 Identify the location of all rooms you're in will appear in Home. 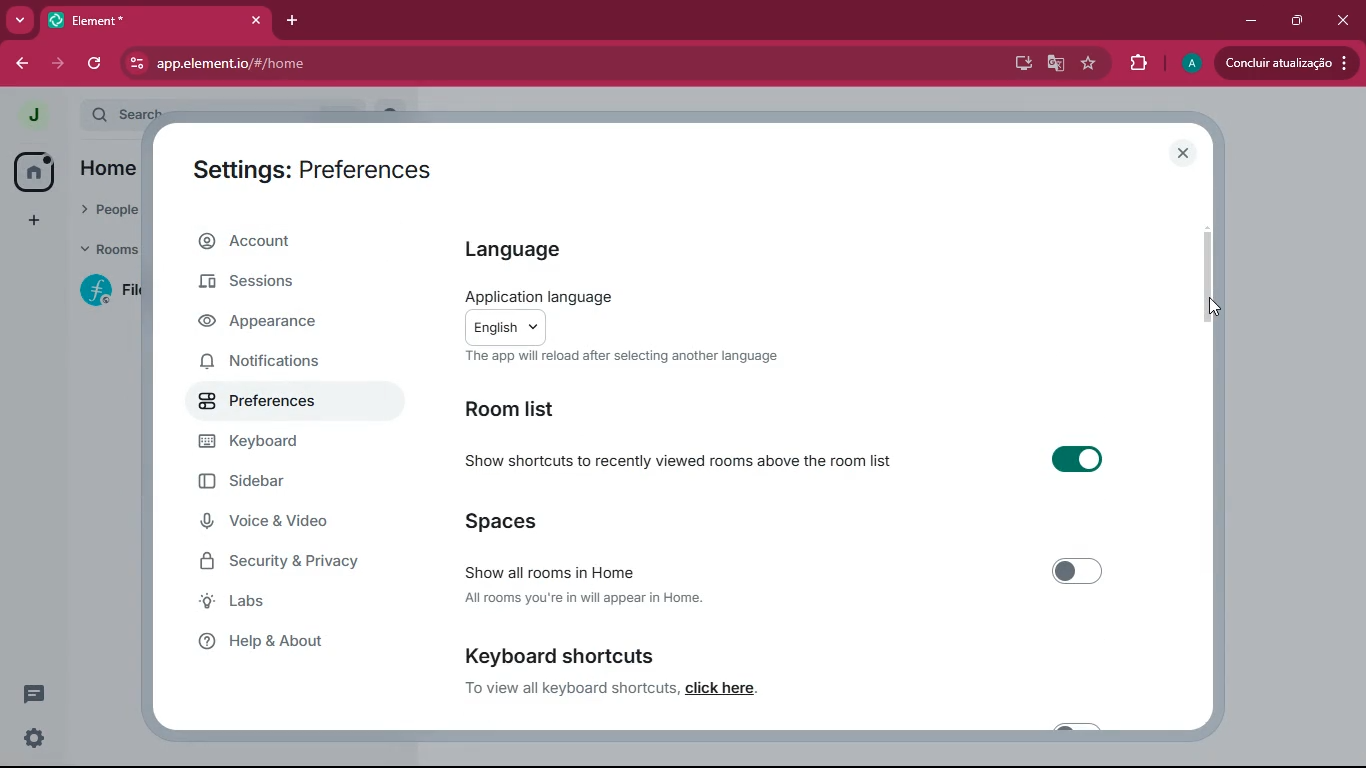
(583, 596).